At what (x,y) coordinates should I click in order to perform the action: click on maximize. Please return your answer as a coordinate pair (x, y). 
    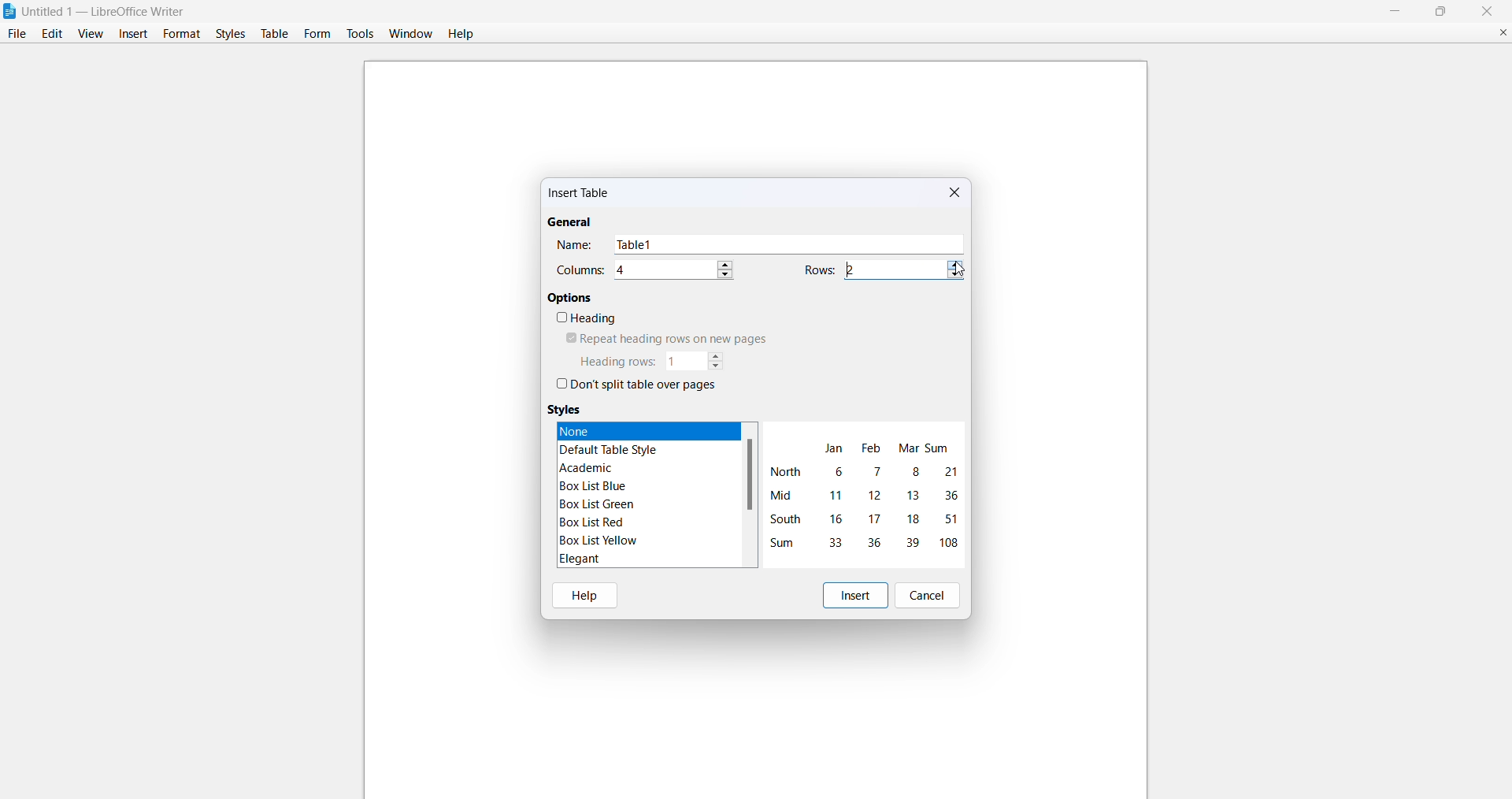
    Looking at the image, I should click on (1443, 11).